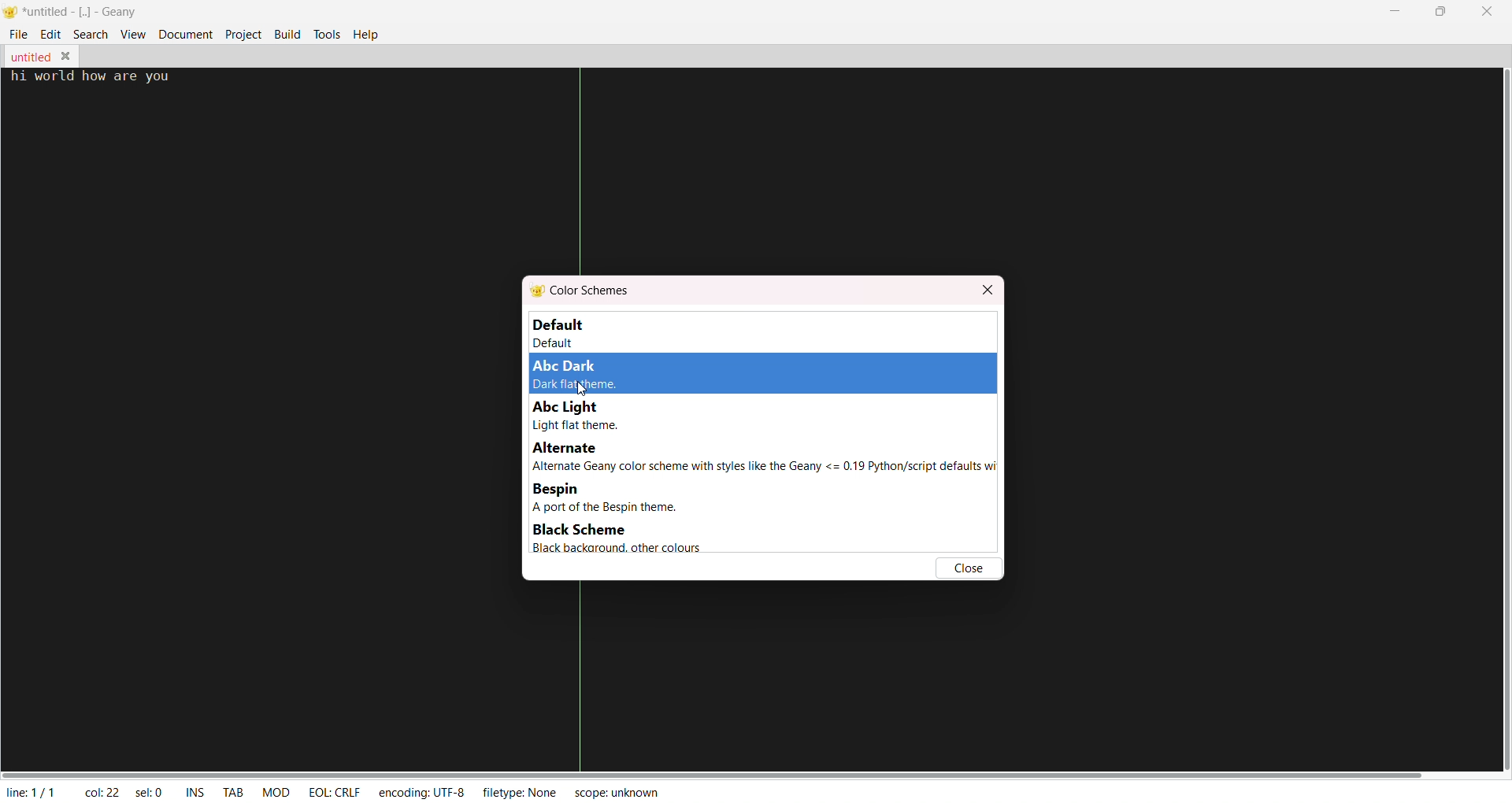 This screenshot has width=1512, height=803. I want to click on abc dark, so click(569, 365).